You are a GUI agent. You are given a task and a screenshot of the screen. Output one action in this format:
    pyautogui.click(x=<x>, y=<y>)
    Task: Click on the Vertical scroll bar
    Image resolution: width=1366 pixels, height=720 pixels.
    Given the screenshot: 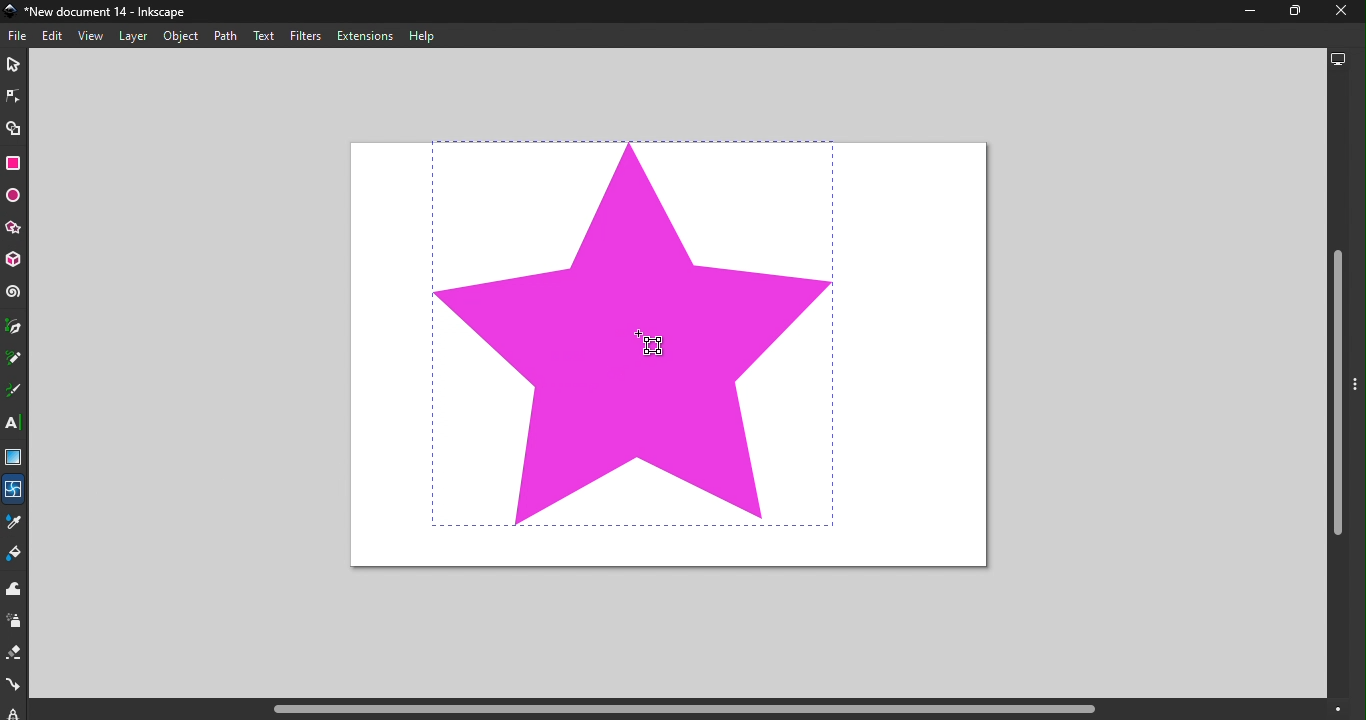 What is the action you would take?
    pyautogui.click(x=1337, y=386)
    